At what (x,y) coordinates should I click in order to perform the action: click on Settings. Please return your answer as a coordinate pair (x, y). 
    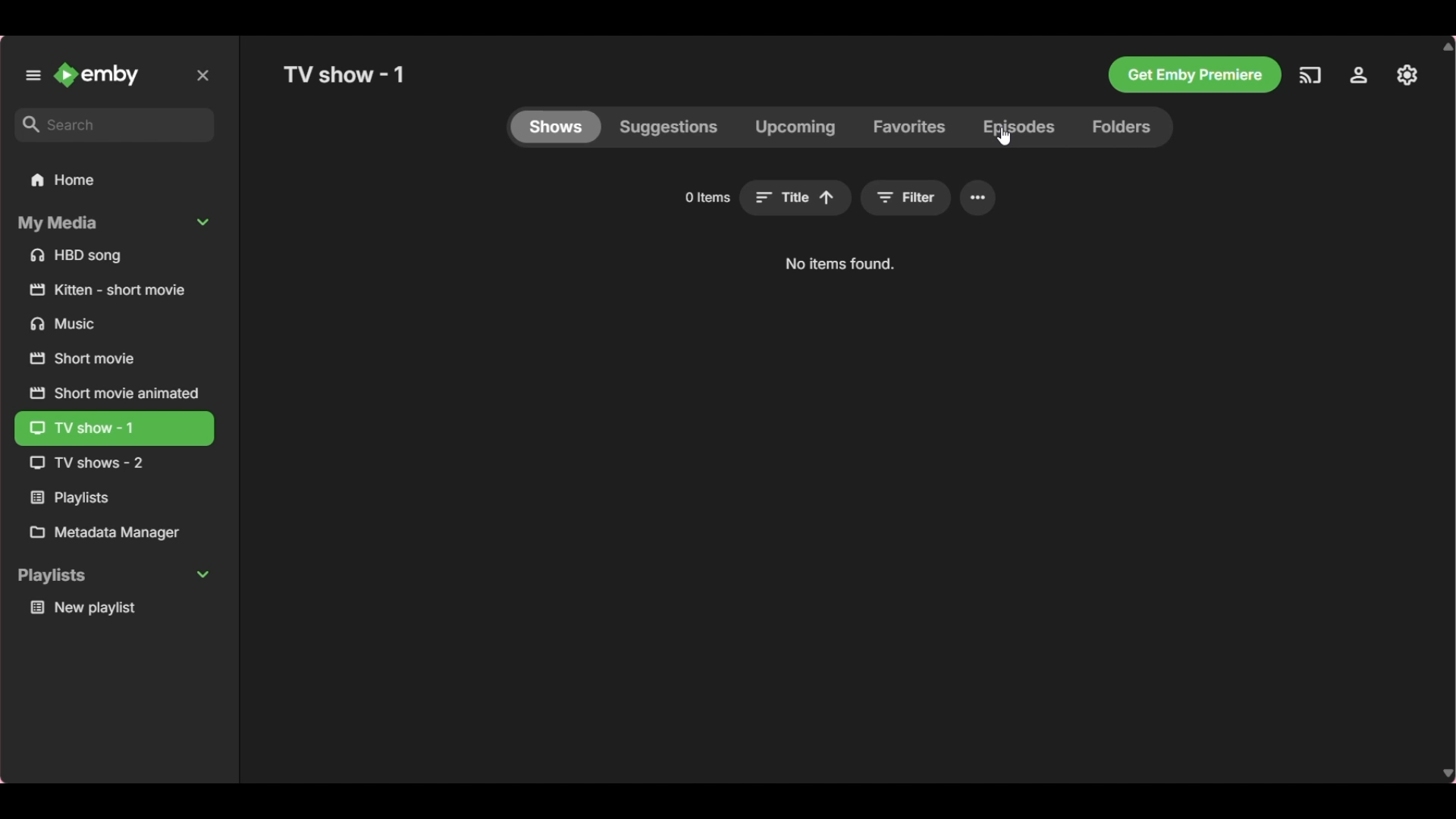
    Looking at the image, I should click on (1359, 75).